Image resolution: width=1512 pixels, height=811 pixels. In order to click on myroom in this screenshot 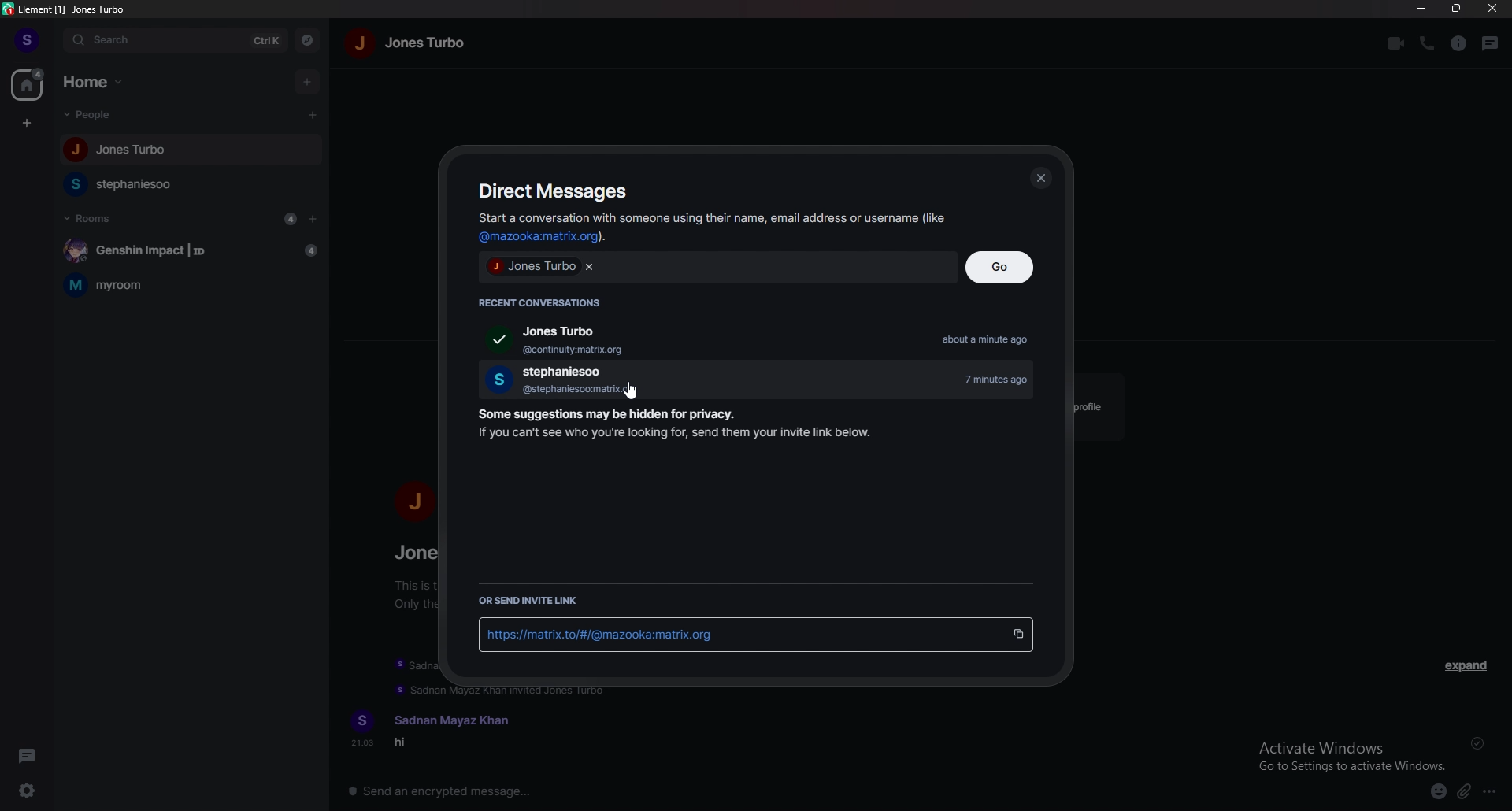, I will do `click(191, 284)`.